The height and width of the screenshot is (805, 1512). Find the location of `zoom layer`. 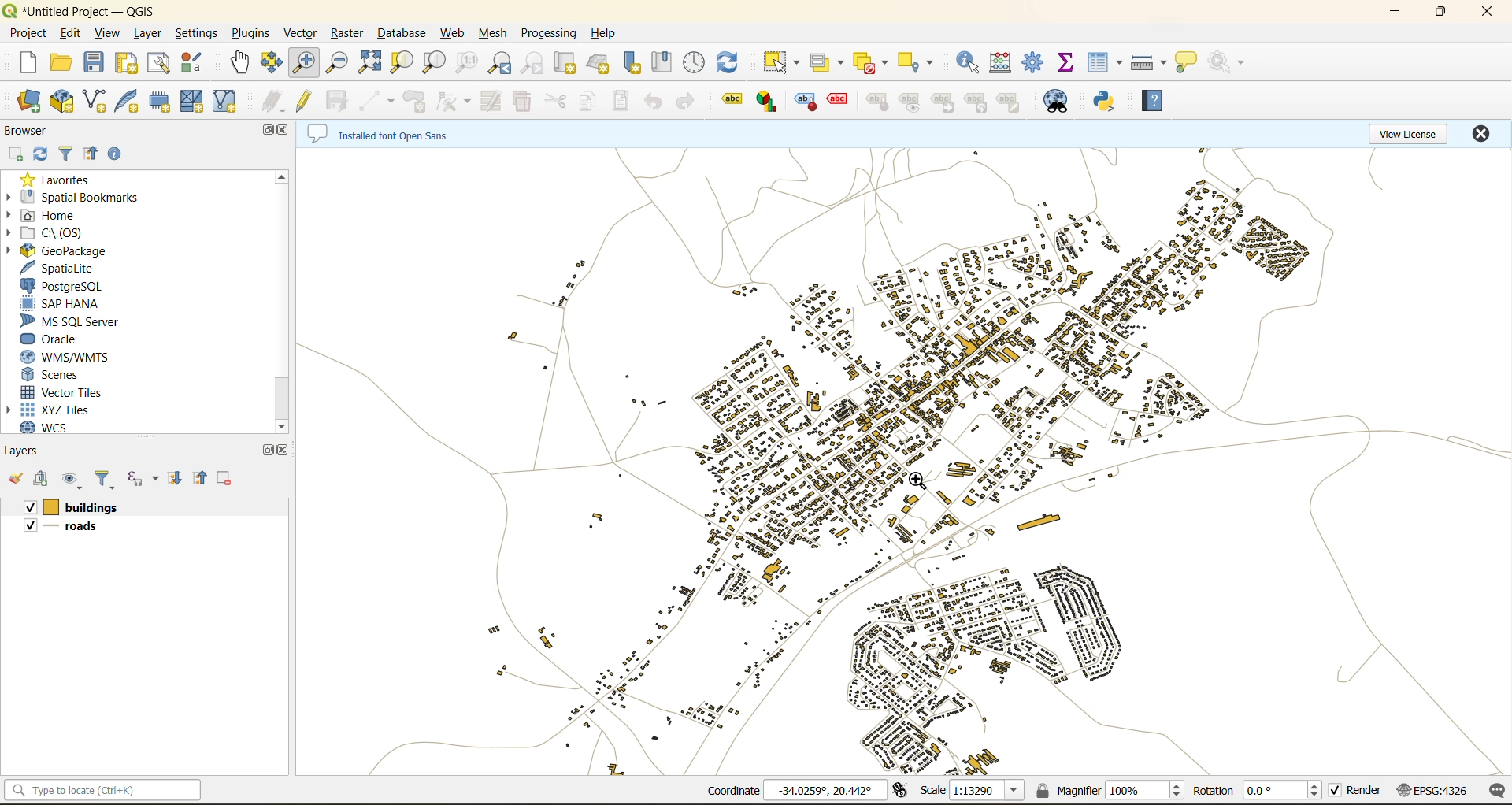

zoom layer is located at coordinates (438, 63).